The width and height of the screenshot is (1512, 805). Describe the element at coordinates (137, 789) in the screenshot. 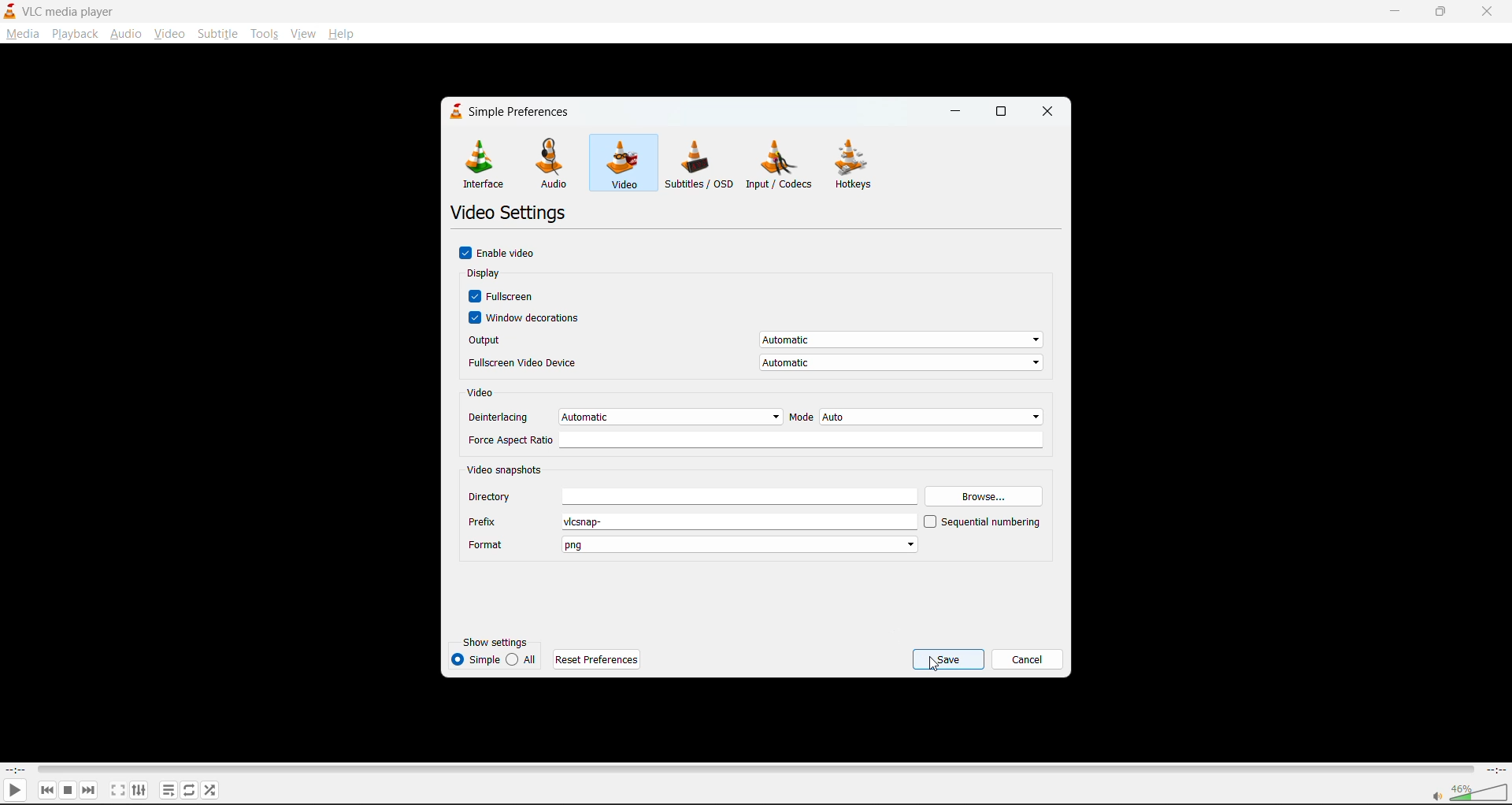

I see `settings` at that location.